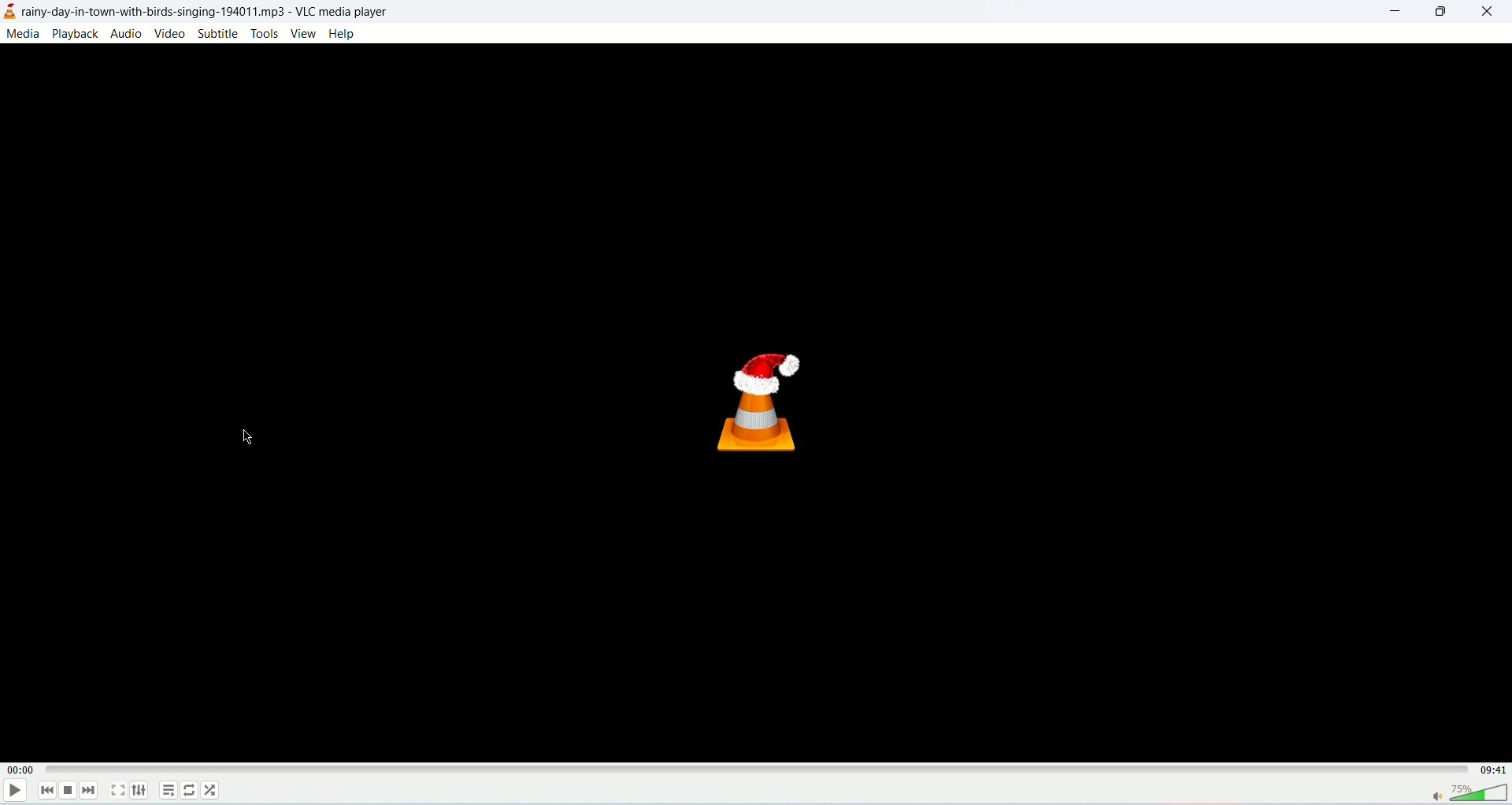 The height and width of the screenshot is (805, 1512). I want to click on played time, so click(19, 770).